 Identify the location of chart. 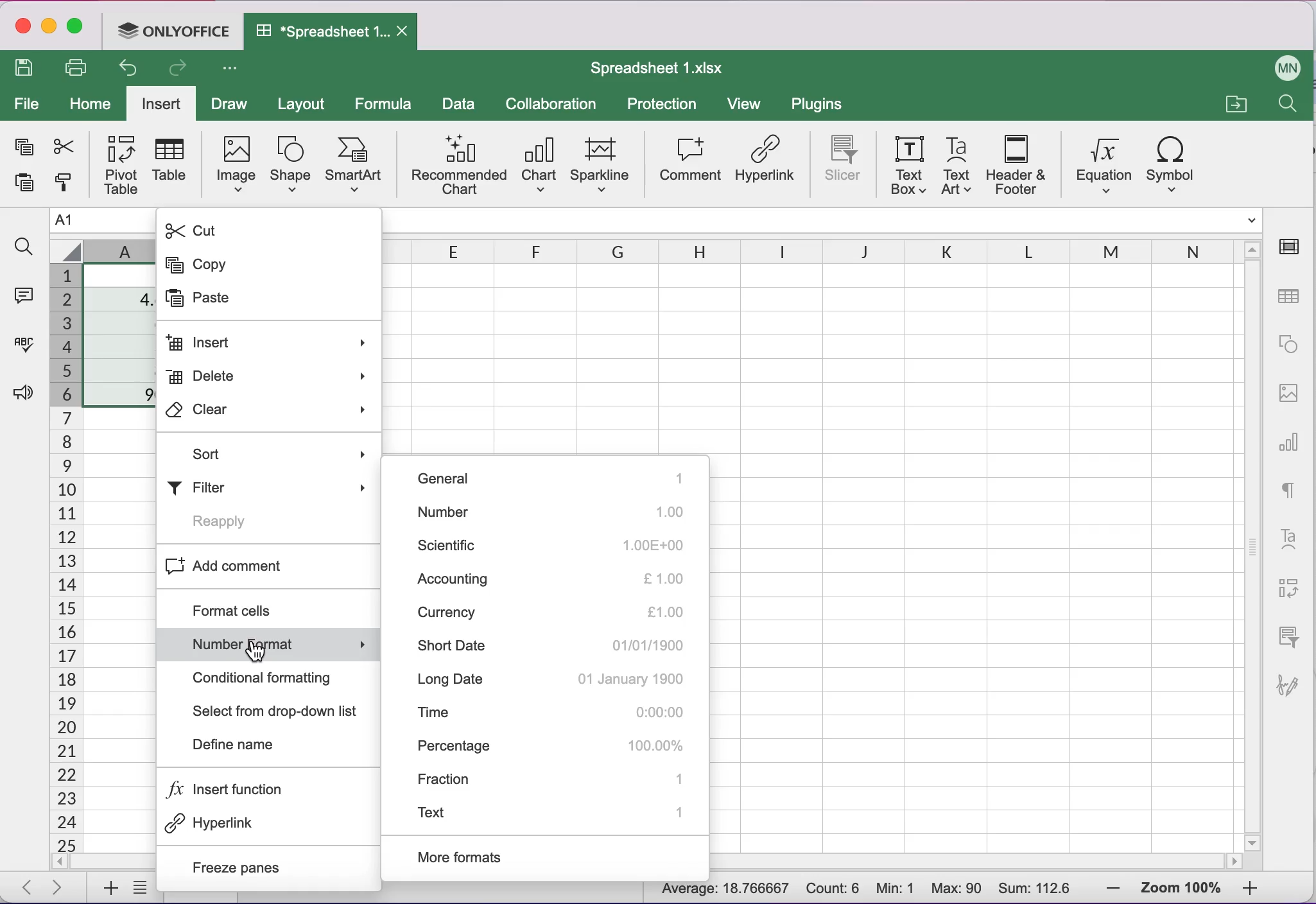
(1290, 447).